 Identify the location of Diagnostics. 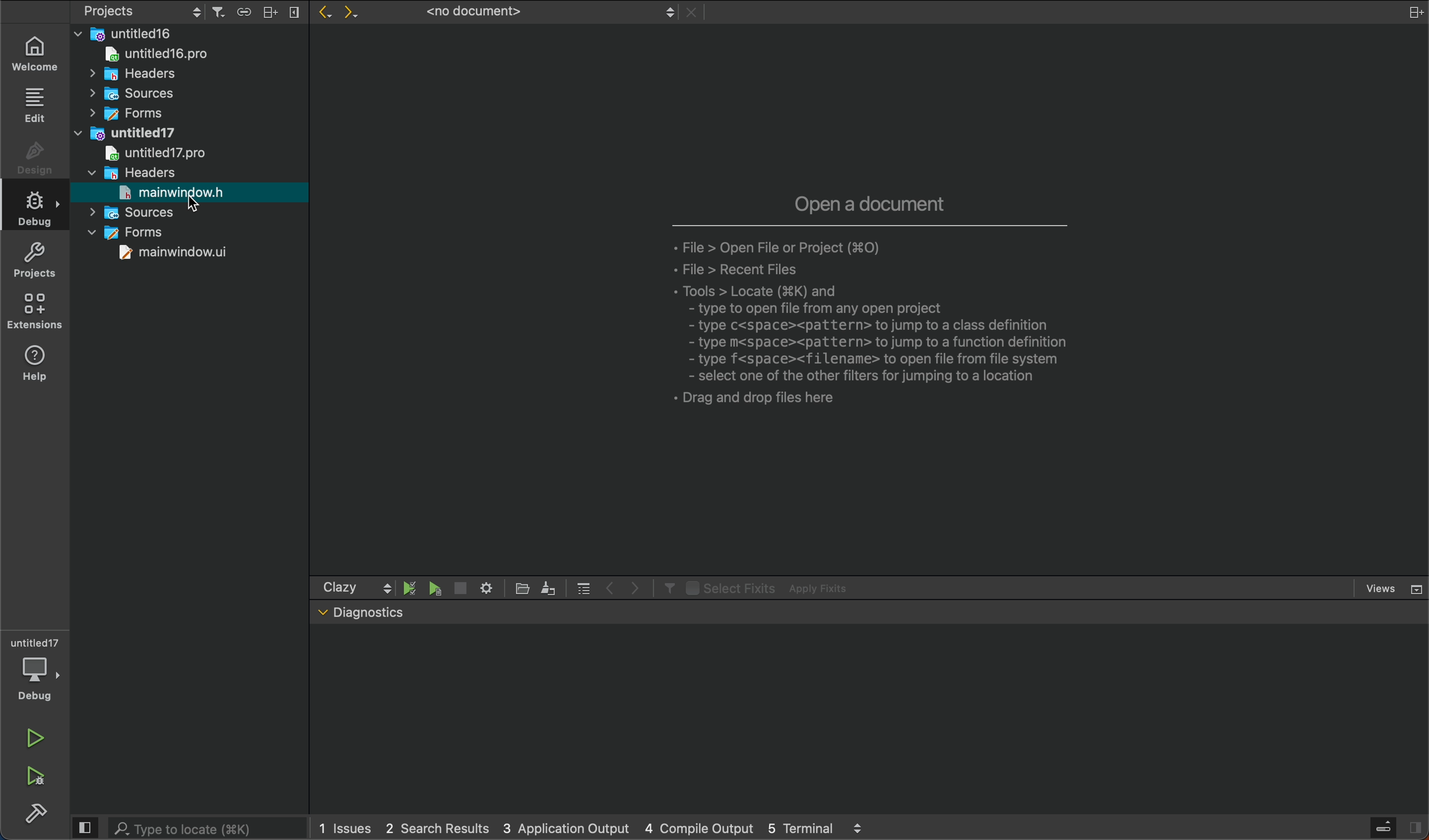
(370, 612).